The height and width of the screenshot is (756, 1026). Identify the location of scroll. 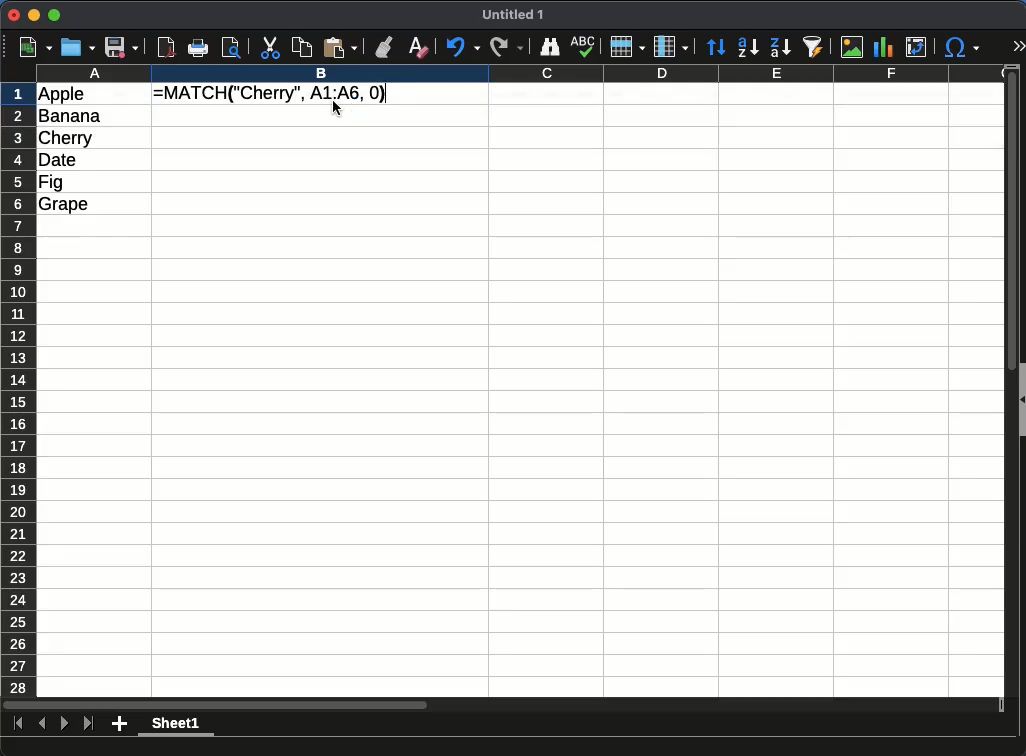
(503, 705).